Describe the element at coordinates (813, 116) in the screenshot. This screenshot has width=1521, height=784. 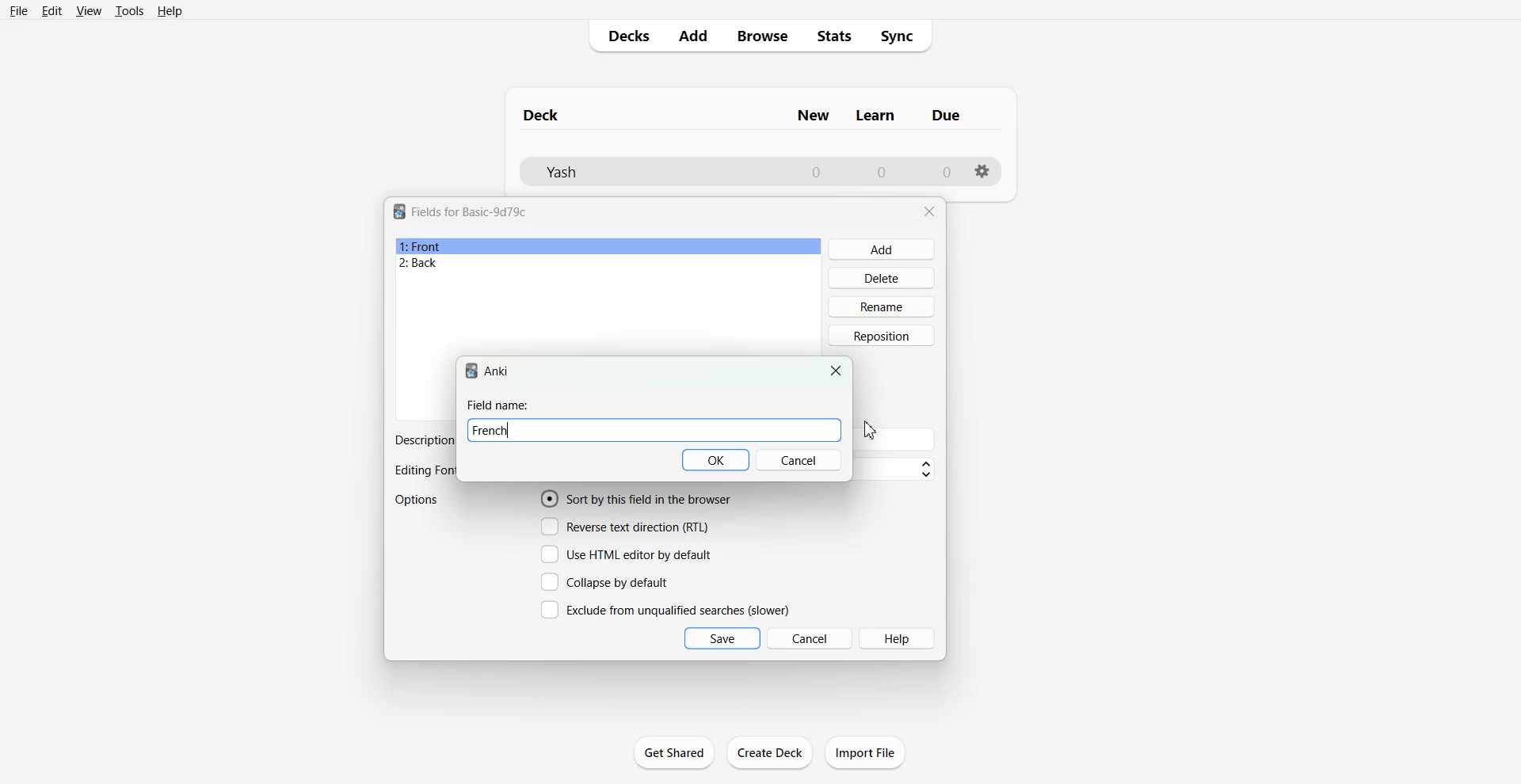
I see `Column name` at that location.